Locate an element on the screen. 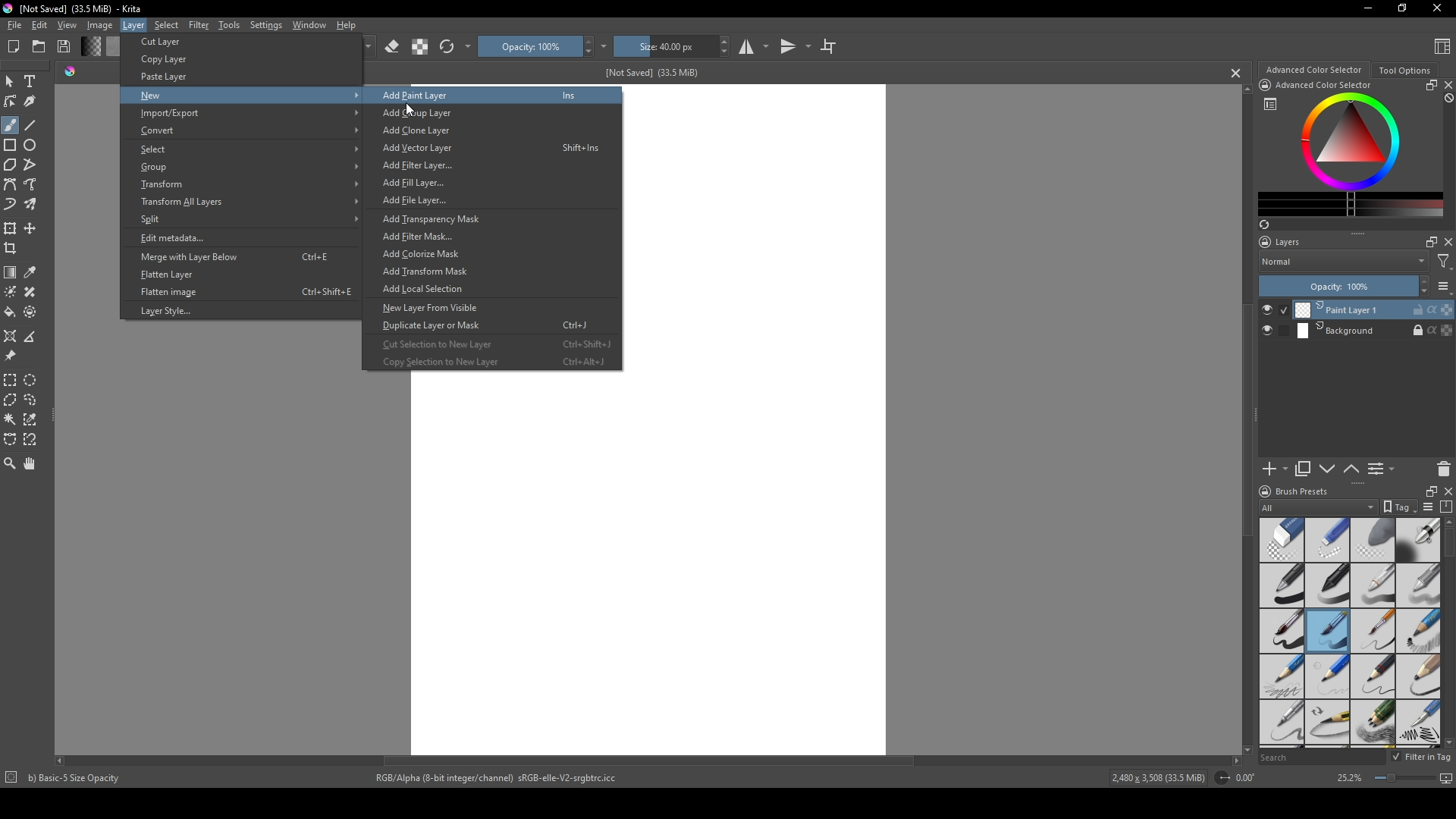 Image resolution: width=1456 pixels, height=819 pixels. crop is located at coordinates (14, 248).